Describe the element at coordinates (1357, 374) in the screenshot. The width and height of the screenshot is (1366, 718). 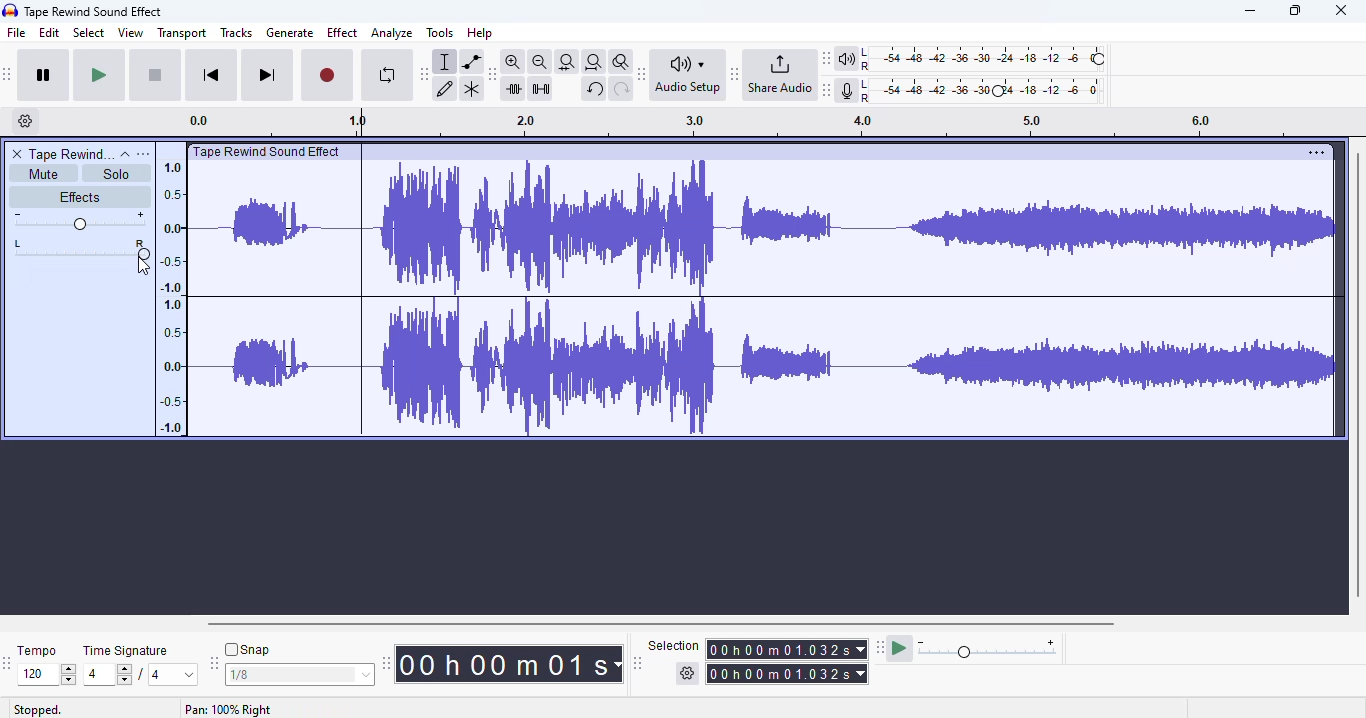
I see `vertical scroll bar` at that location.